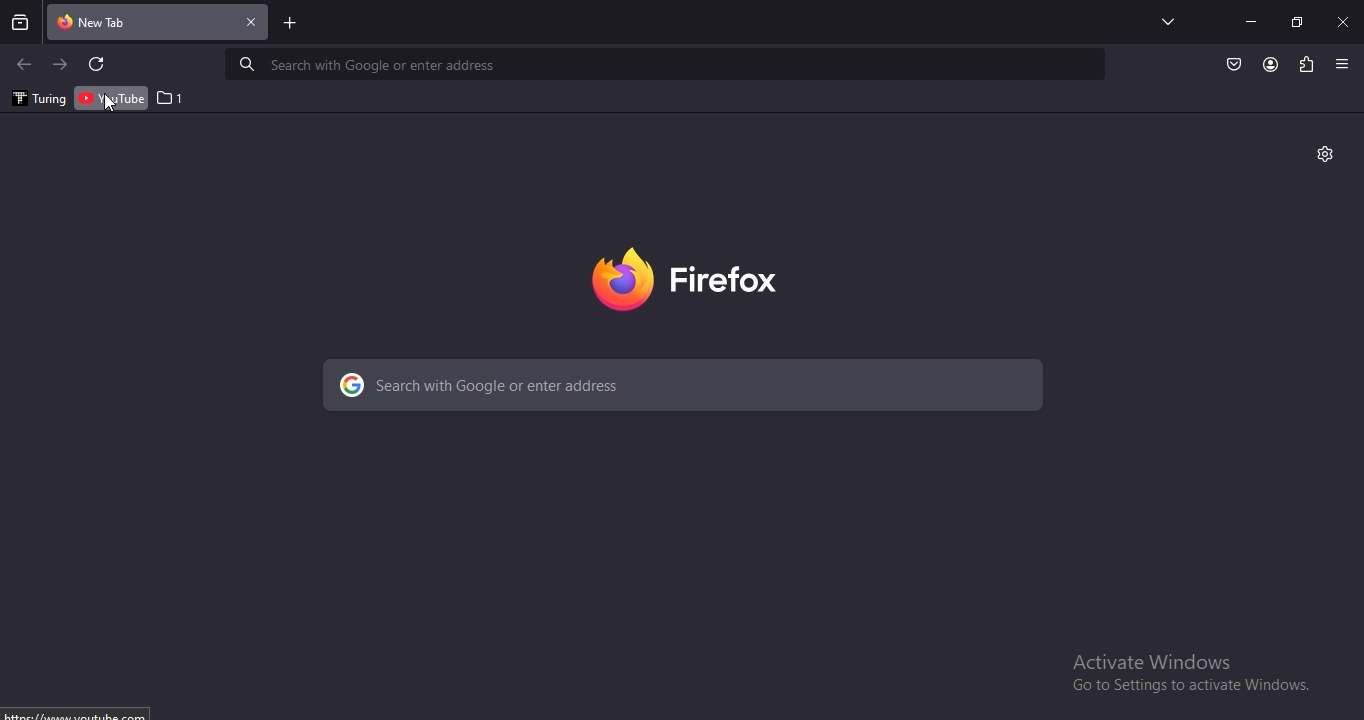 This screenshot has height=720, width=1364. What do you see at coordinates (681, 276) in the screenshot?
I see `firebox` at bounding box center [681, 276].